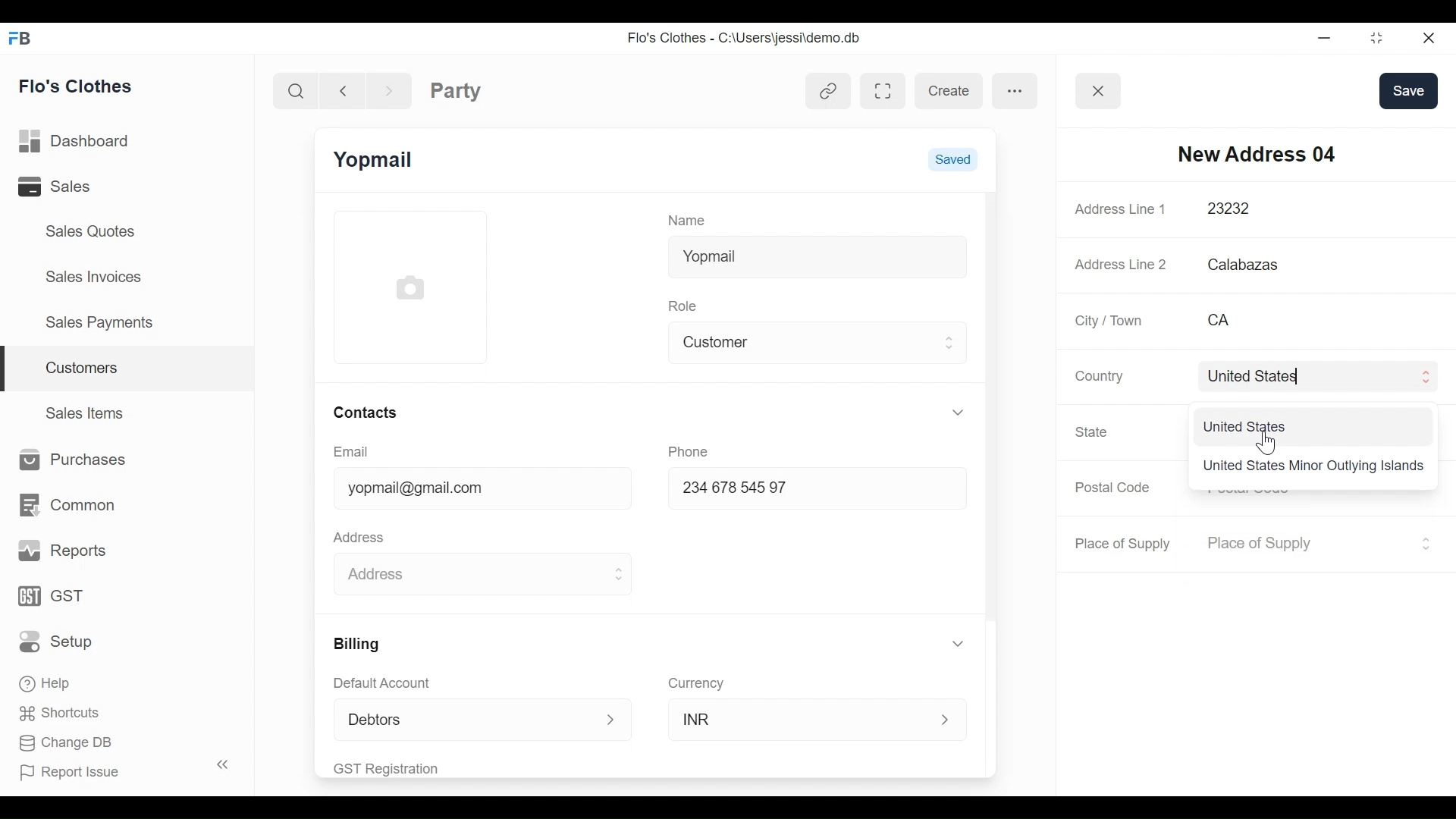  What do you see at coordinates (75, 186) in the screenshot?
I see `Sales` at bounding box center [75, 186].